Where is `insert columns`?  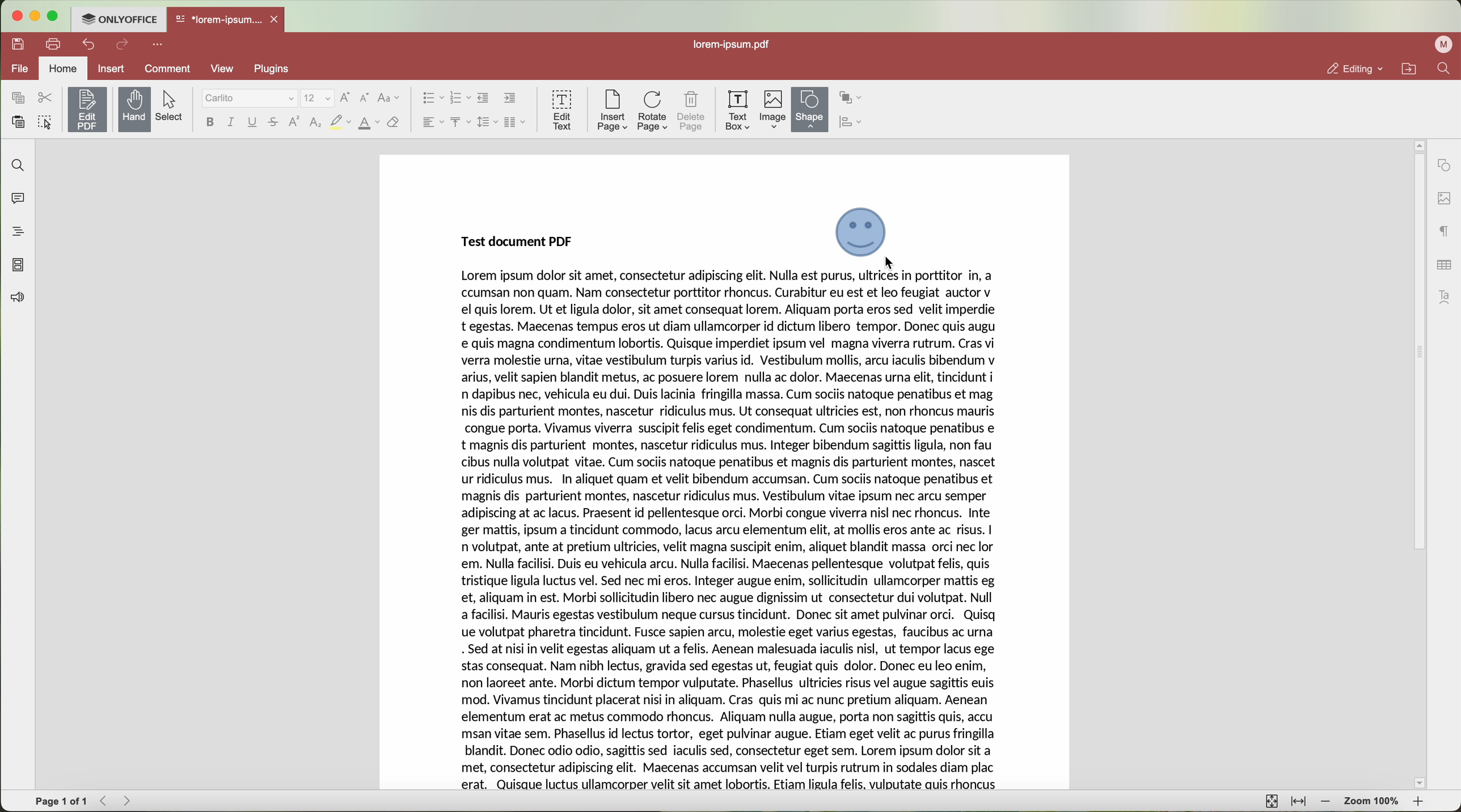 insert columns is located at coordinates (516, 122).